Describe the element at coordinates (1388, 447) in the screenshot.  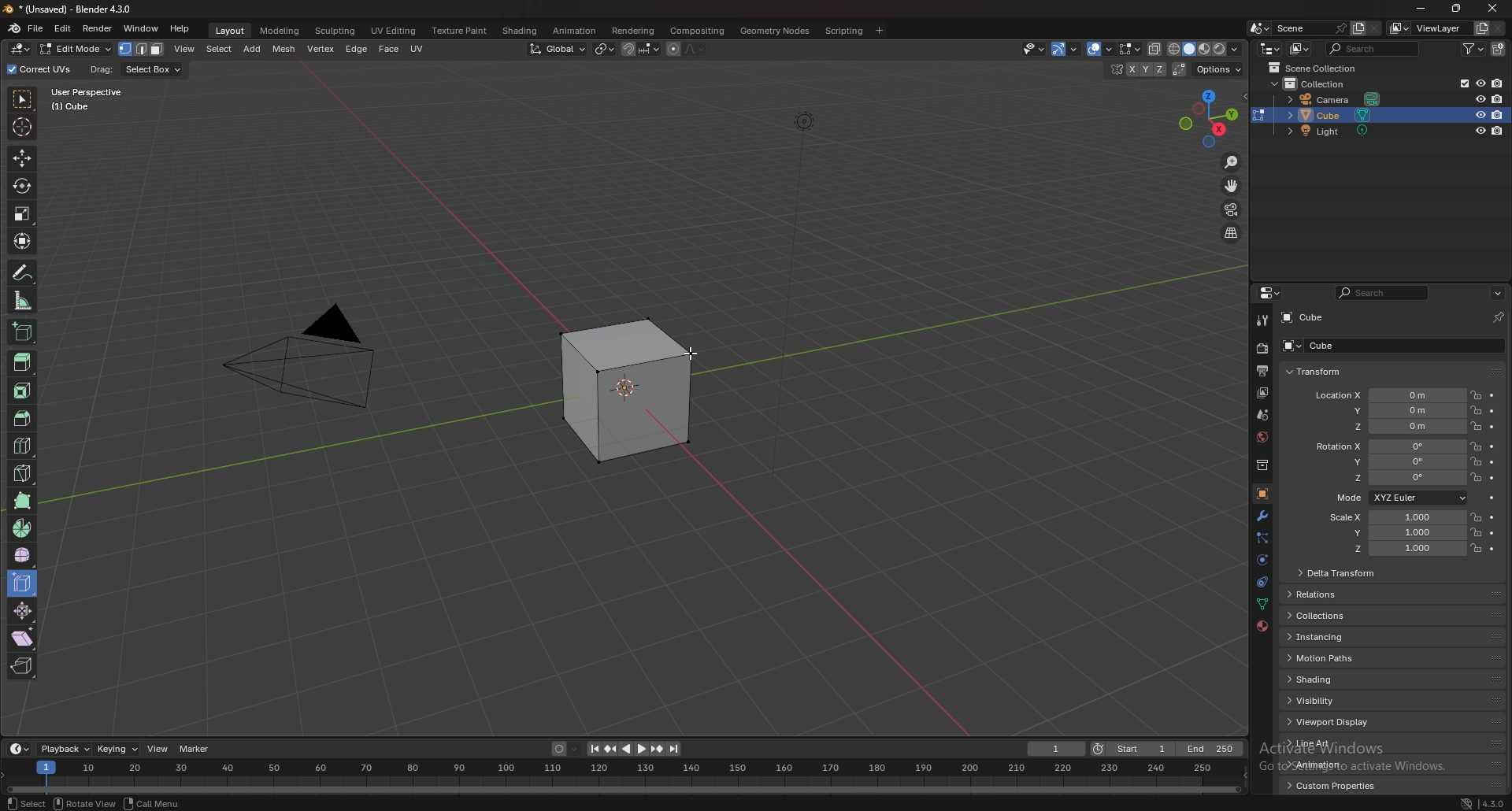
I see `rotation x` at that location.